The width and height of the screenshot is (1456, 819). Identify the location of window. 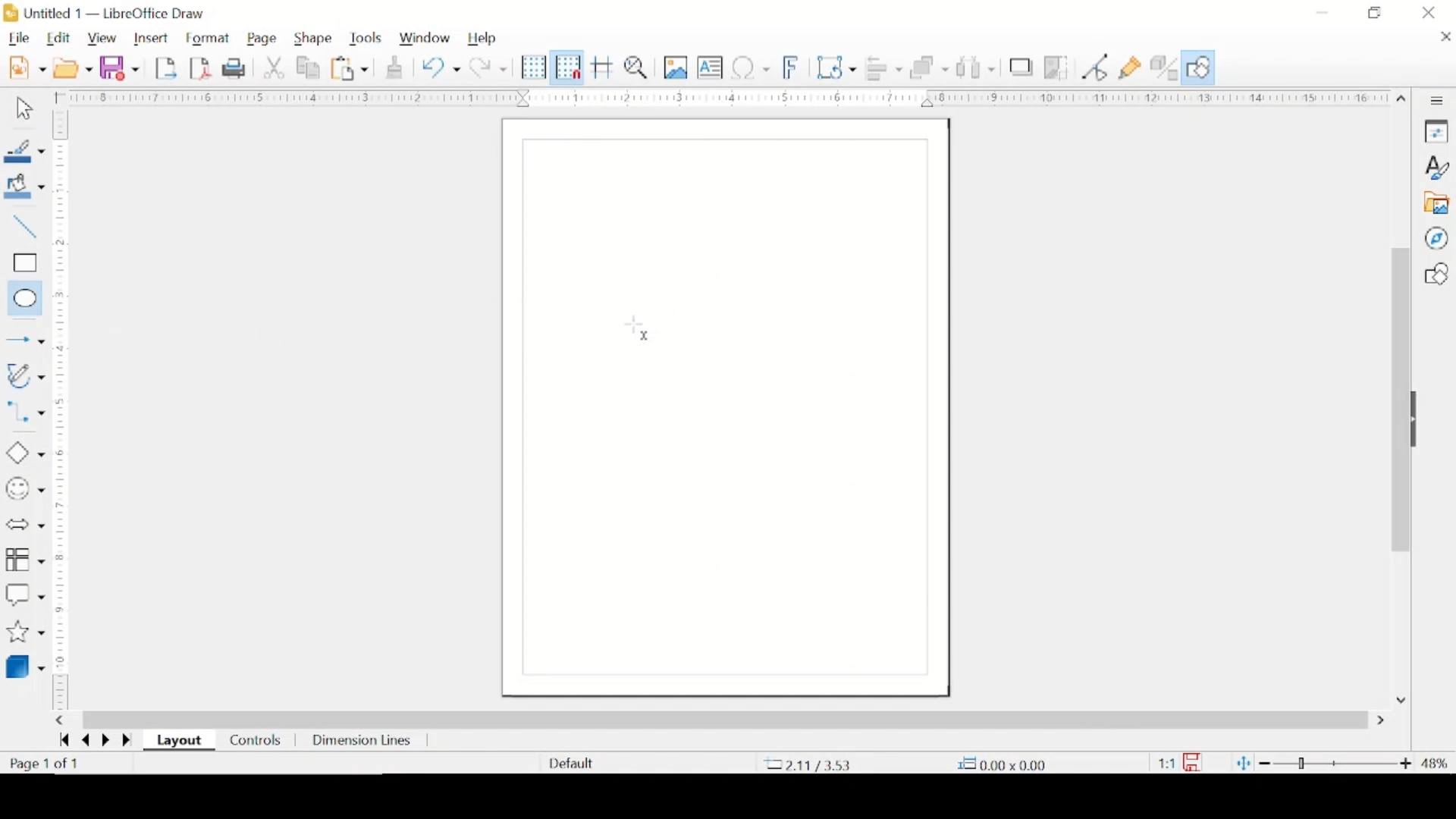
(425, 39).